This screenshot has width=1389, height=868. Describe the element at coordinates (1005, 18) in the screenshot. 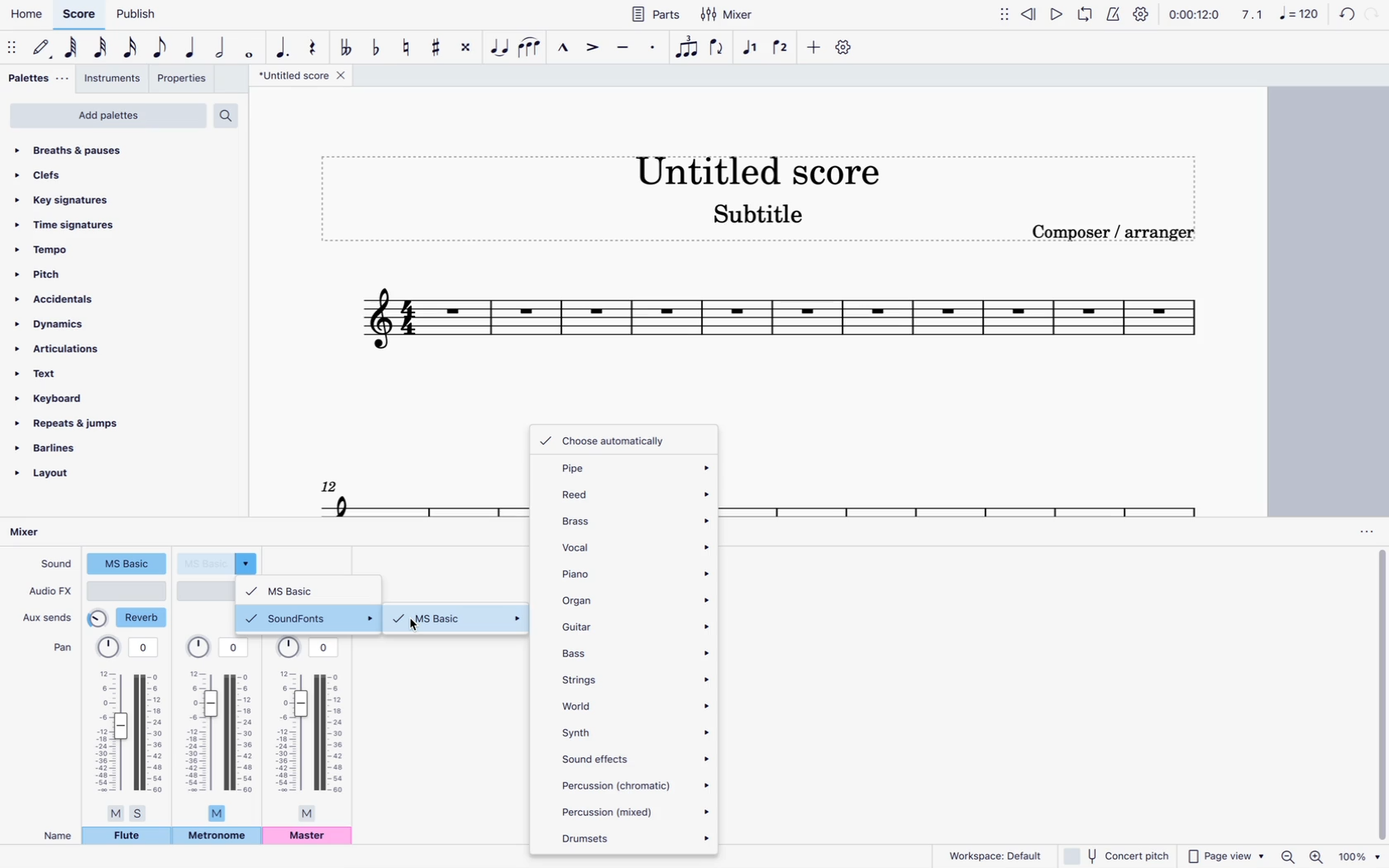

I see `move` at that location.